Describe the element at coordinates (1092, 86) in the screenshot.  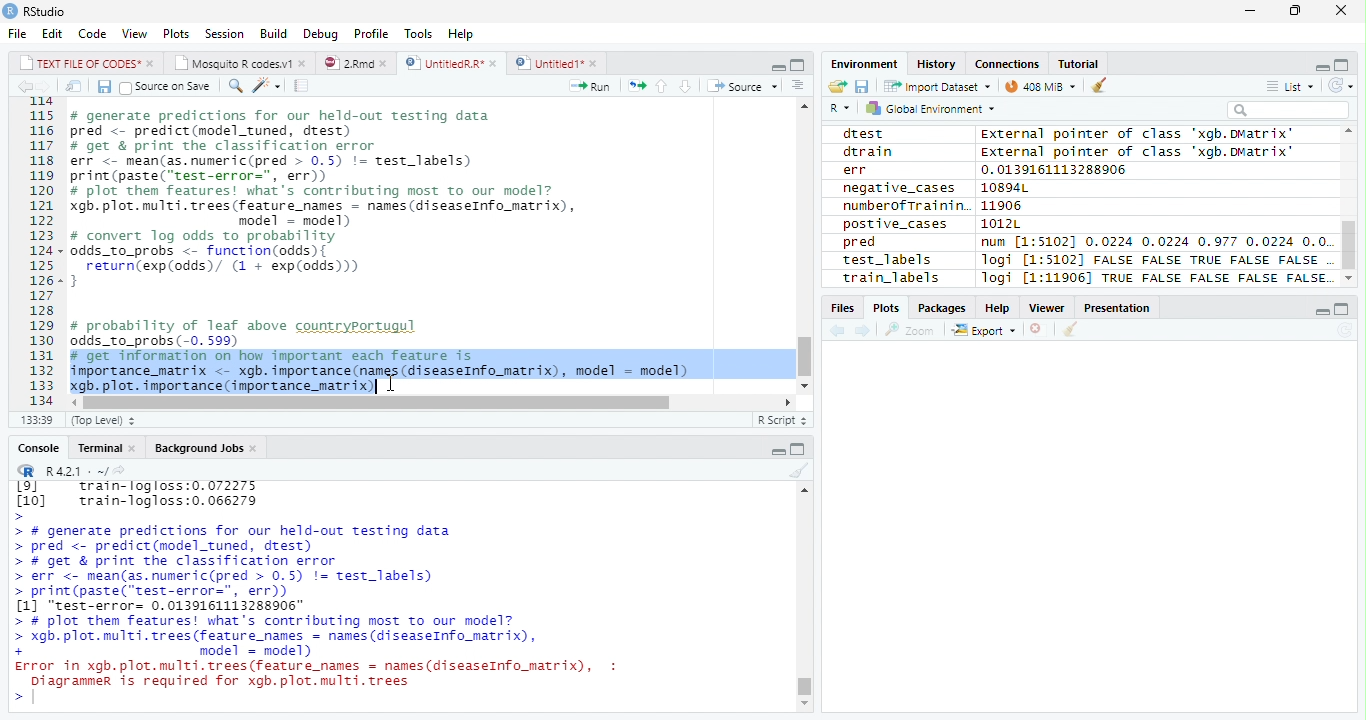
I see `Clean` at that location.